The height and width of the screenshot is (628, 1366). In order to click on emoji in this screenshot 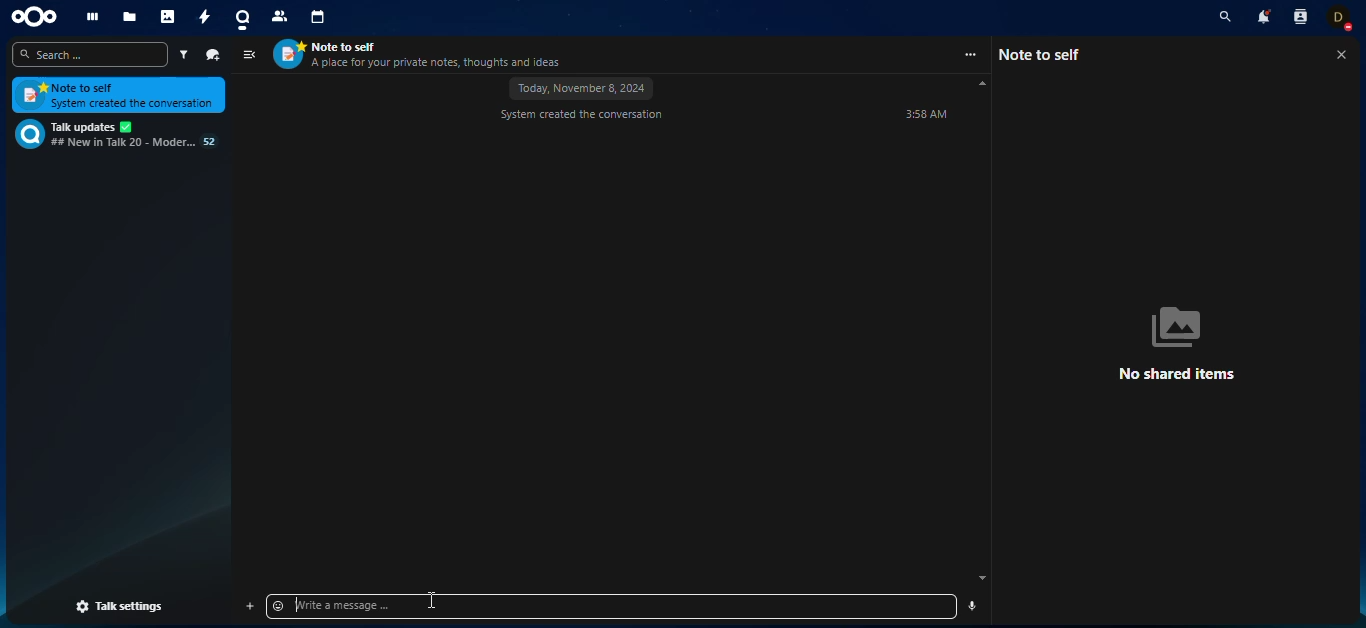, I will do `click(280, 606)`.